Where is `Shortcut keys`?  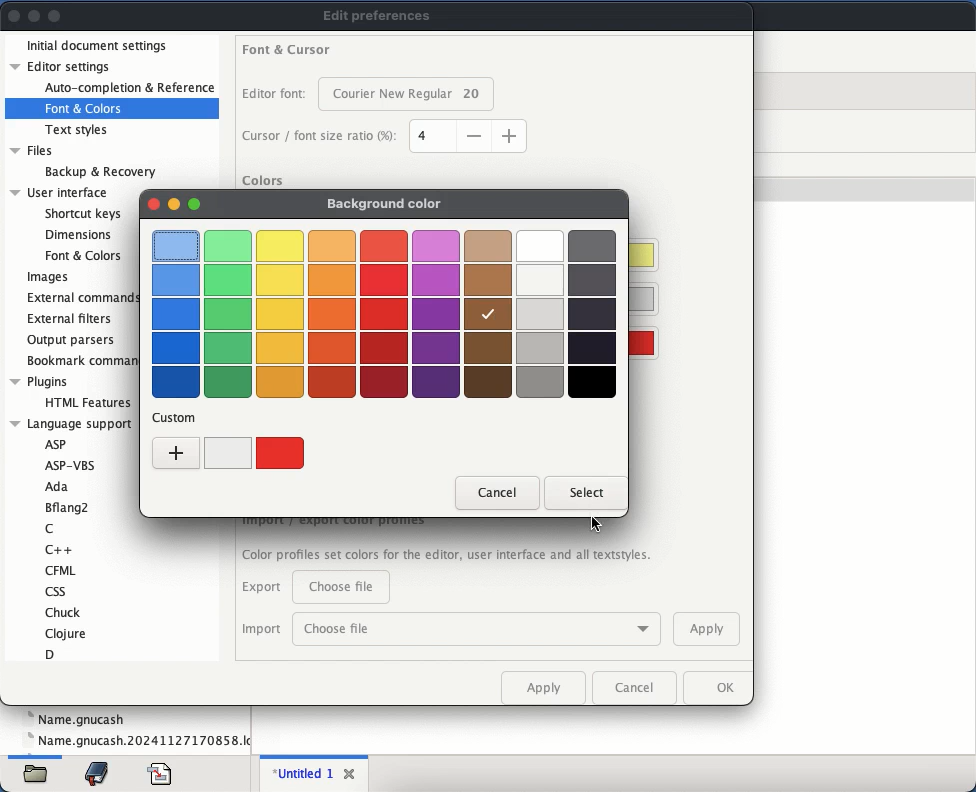
Shortcut keys is located at coordinates (84, 211).